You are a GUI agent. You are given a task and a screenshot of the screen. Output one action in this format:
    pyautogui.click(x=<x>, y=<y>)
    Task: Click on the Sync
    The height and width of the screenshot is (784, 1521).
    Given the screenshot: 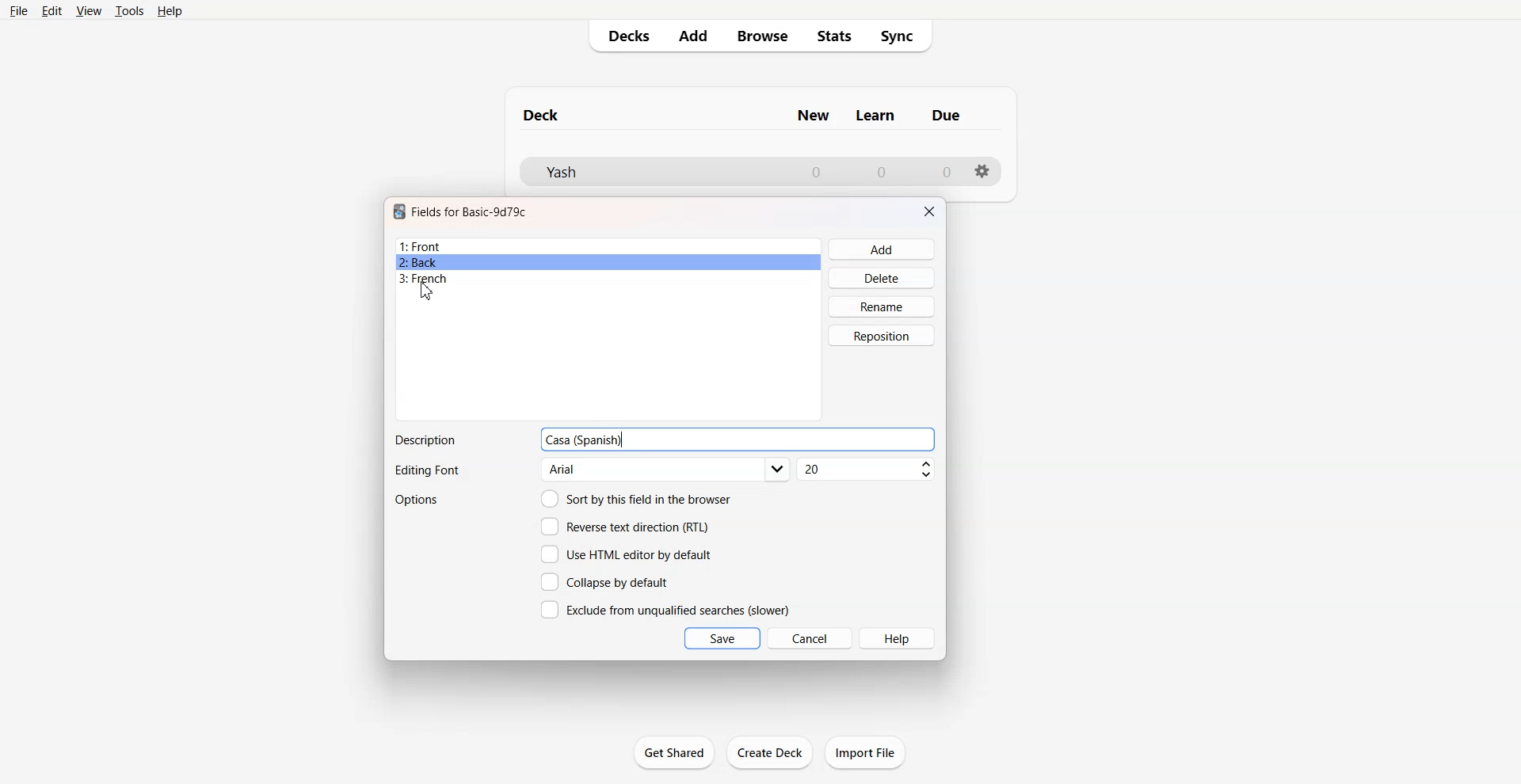 What is the action you would take?
    pyautogui.click(x=902, y=36)
    